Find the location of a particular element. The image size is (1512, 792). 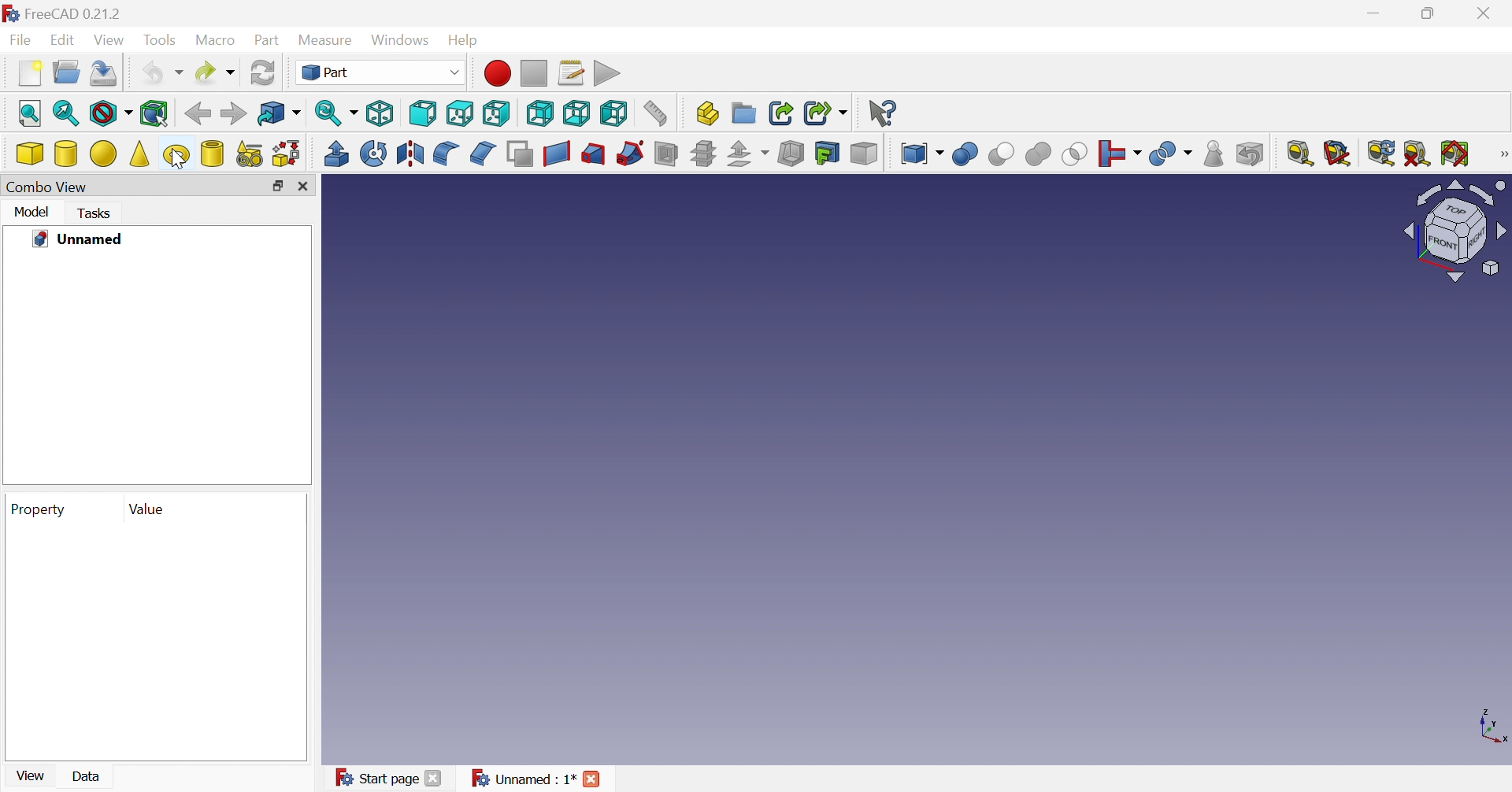

Refresh is located at coordinates (267, 72).